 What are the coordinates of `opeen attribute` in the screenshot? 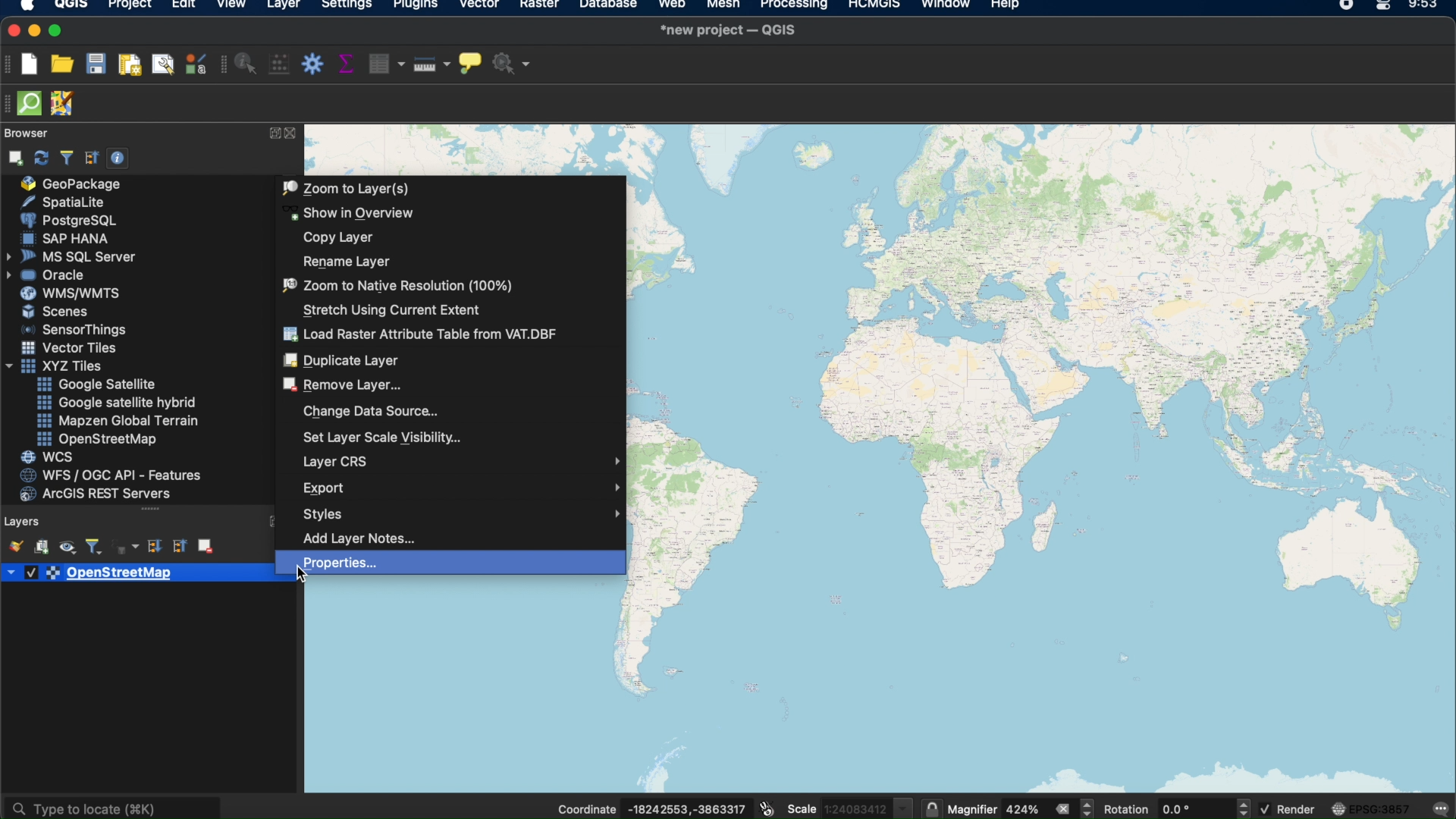 It's located at (383, 65).